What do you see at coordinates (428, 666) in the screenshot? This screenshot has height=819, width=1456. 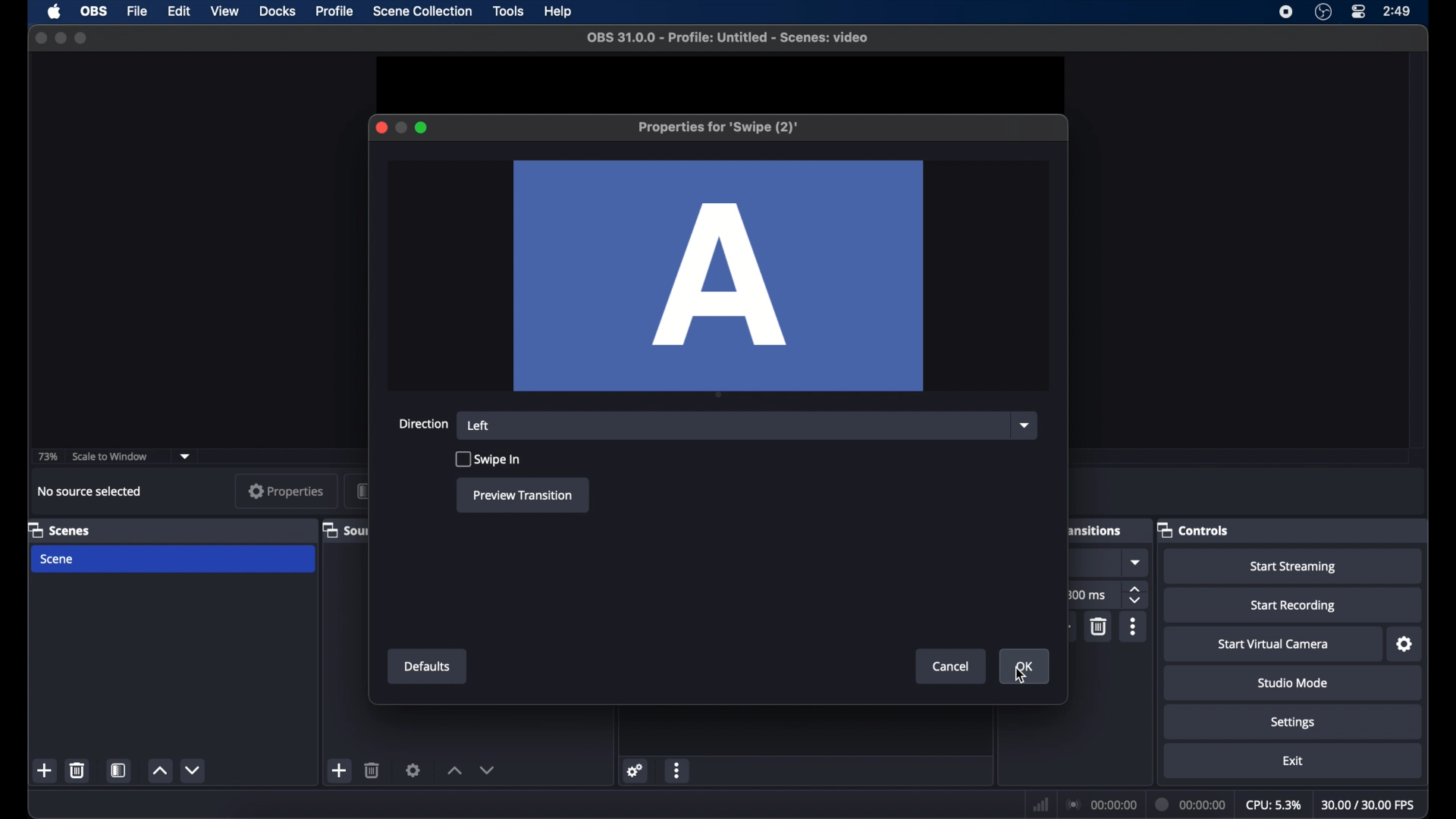 I see `defaults` at bounding box center [428, 666].